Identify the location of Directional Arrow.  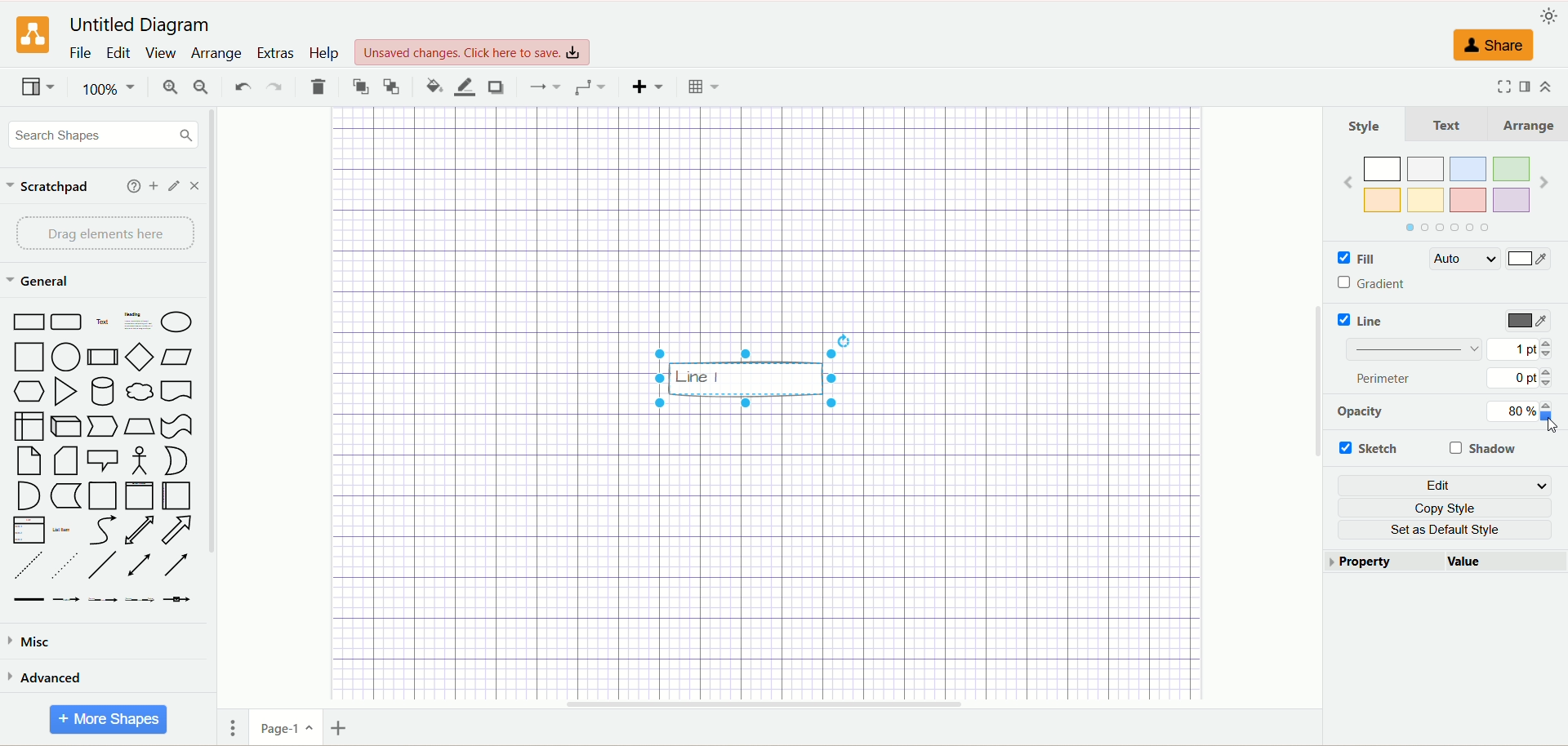
(175, 566).